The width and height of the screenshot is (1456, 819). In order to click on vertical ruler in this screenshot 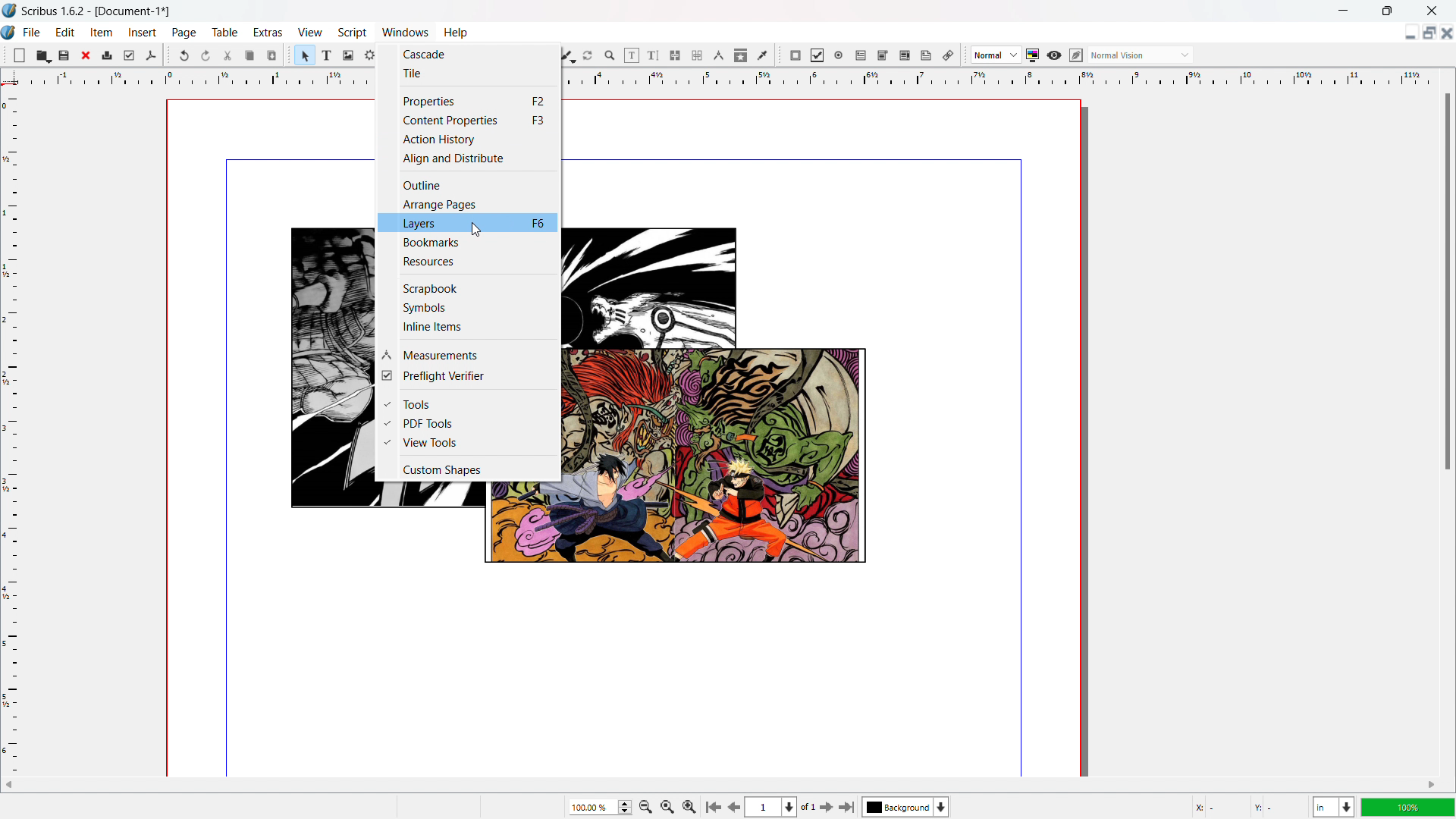, I will do `click(11, 431)`.